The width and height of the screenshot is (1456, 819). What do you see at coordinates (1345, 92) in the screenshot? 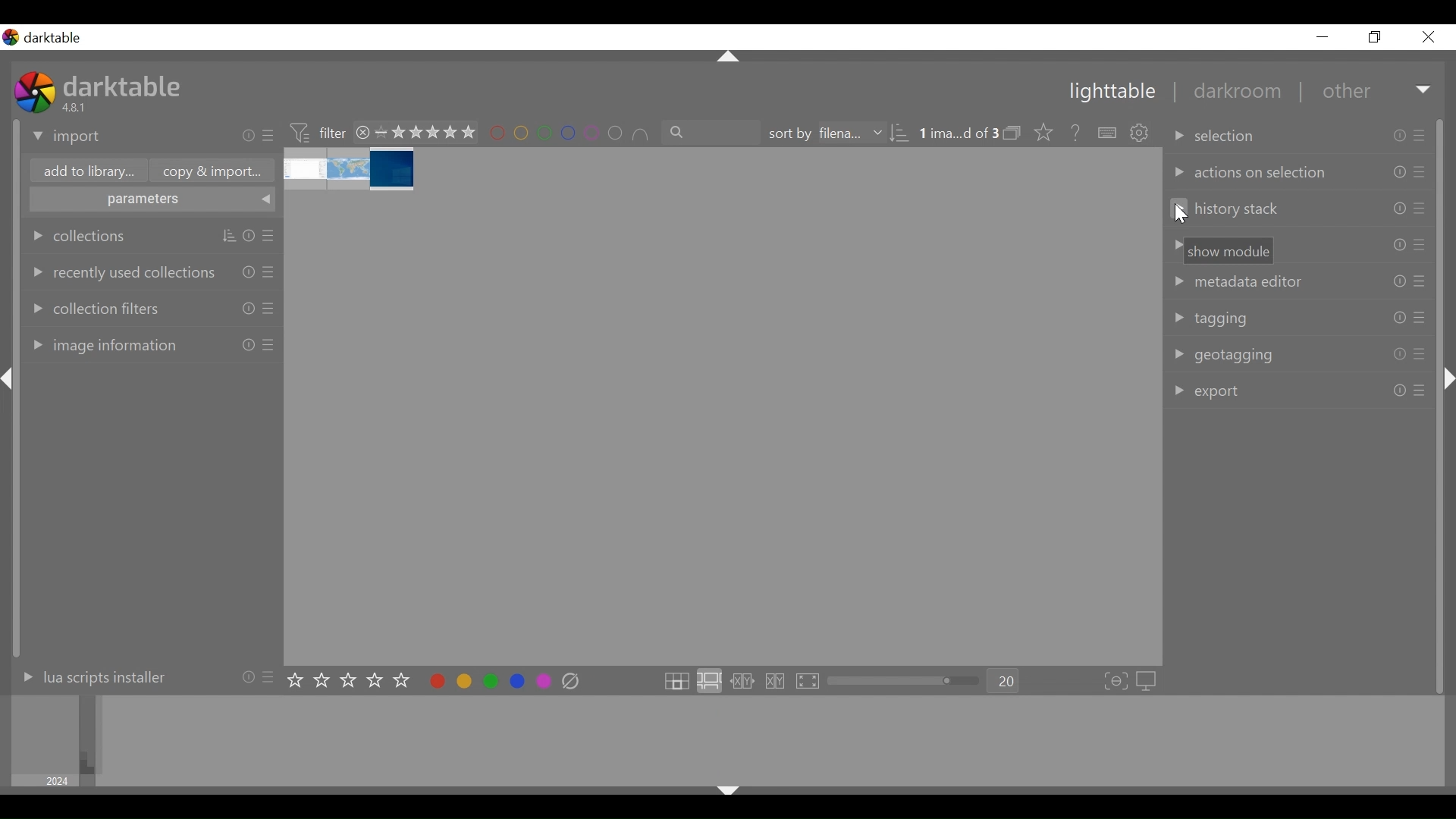
I see `other` at bounding box center [1345, 92].